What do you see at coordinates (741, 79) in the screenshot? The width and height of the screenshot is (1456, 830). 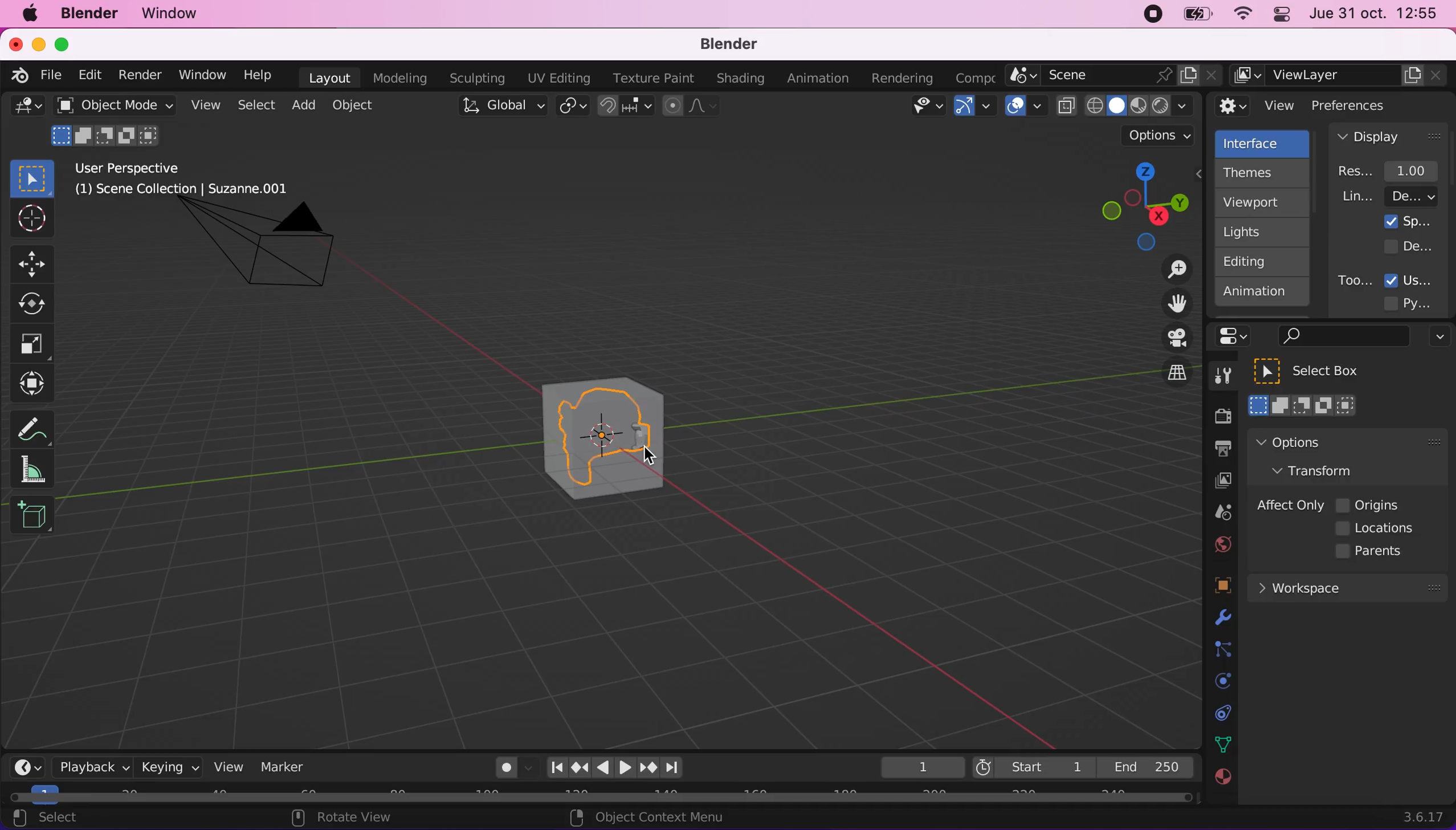 I see `shading` at bounding box center [741, 79].